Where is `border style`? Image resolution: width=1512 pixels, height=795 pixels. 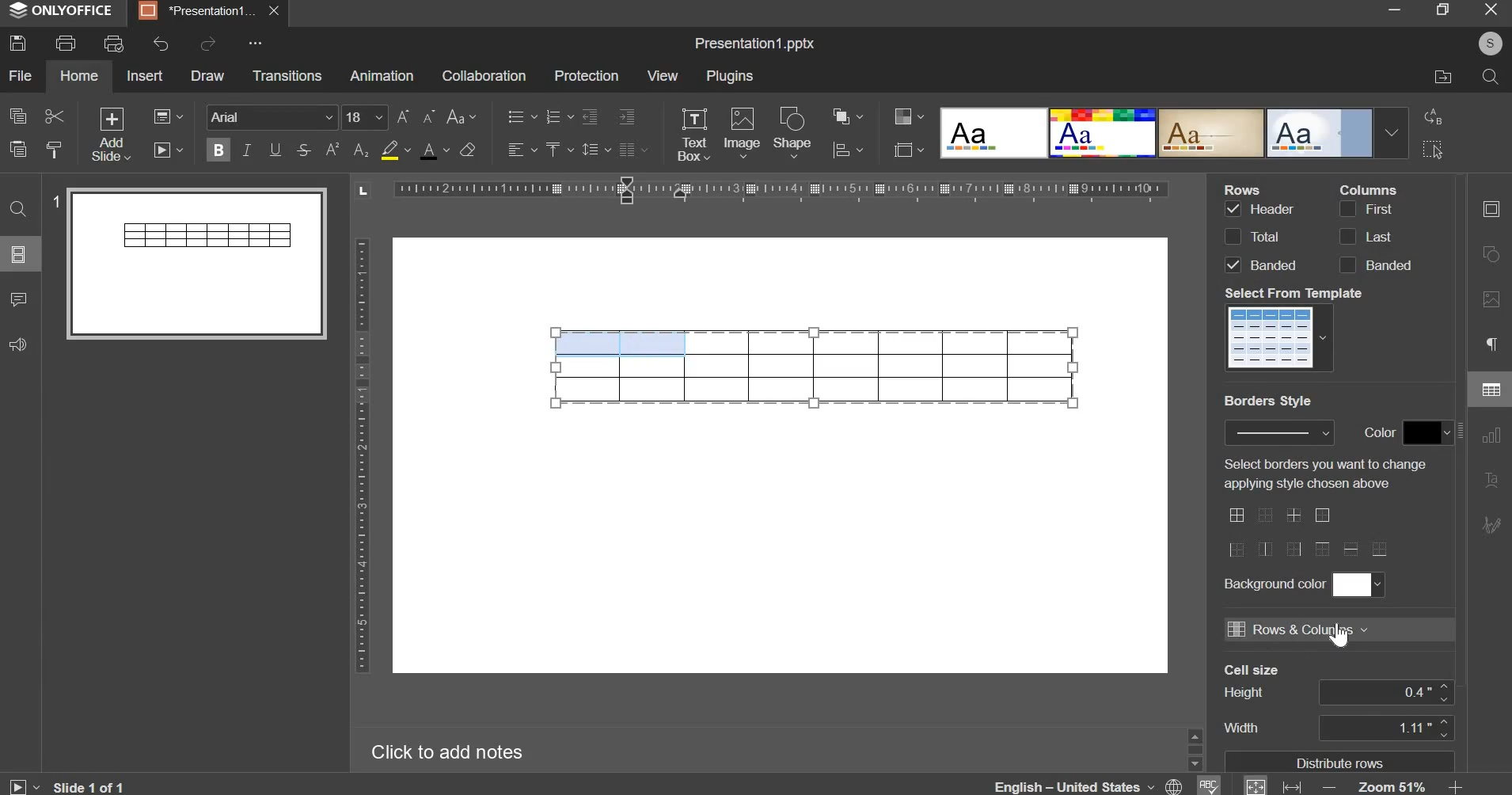 border style is located at coordinates (1309, 531).